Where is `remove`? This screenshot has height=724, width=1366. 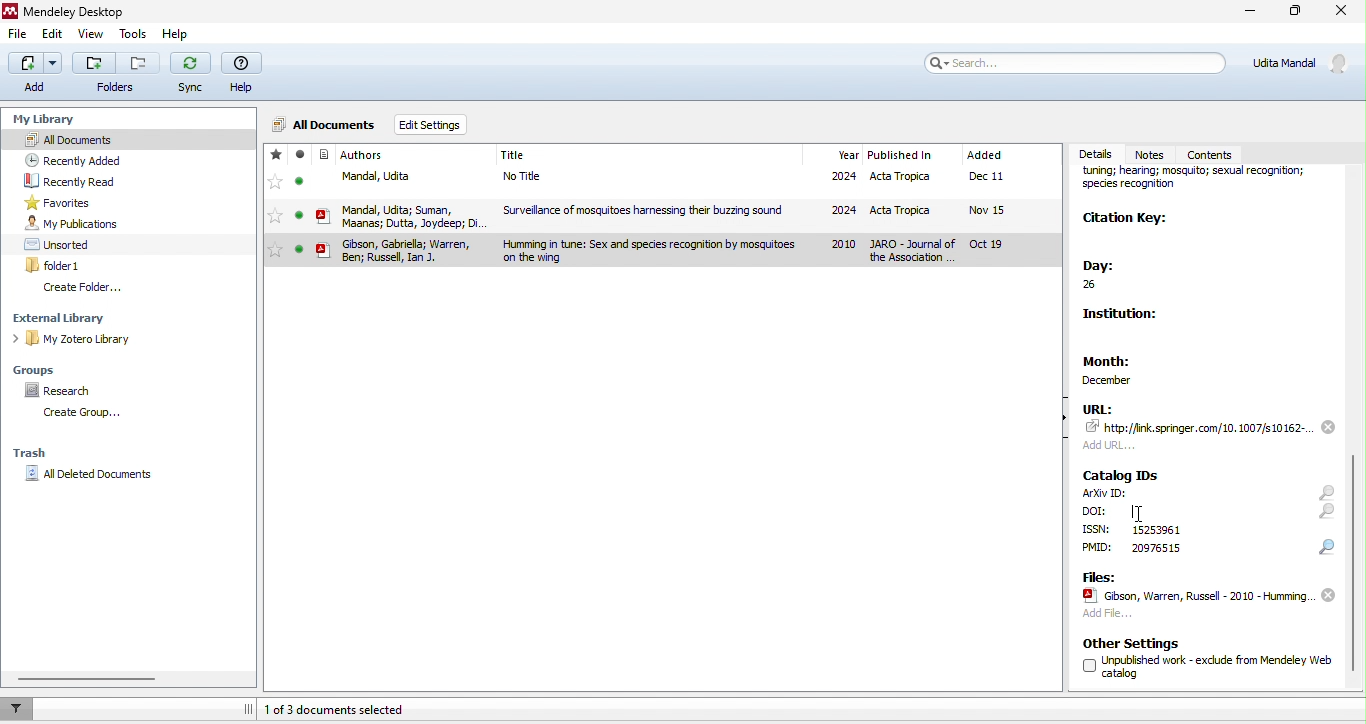 remove is located at coordinates (1328, 596).